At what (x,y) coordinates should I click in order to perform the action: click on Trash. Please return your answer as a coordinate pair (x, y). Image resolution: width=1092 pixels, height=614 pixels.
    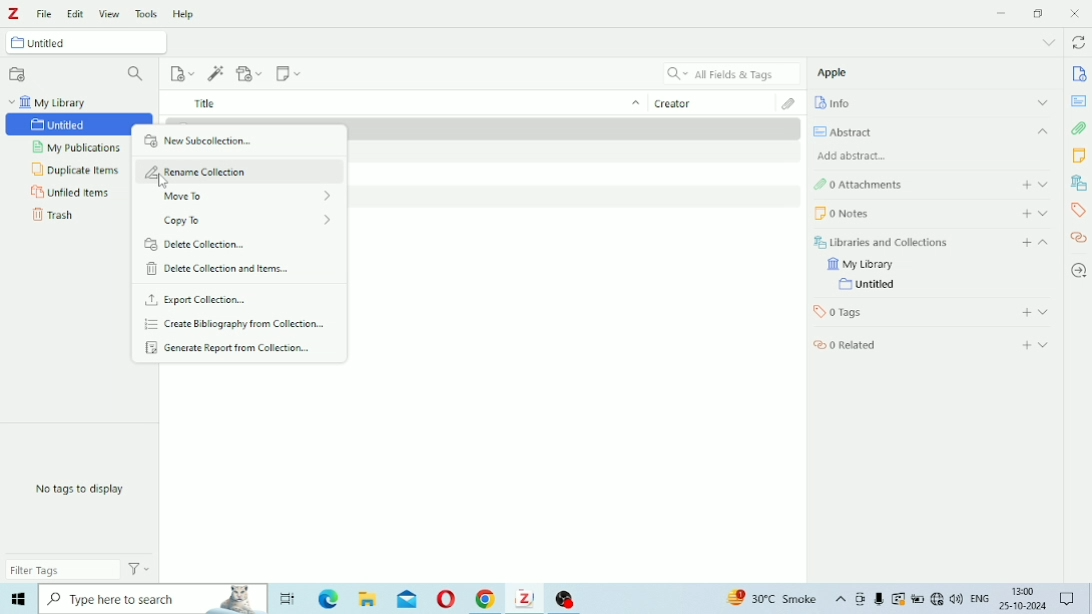
    Looking at the image, I should click on (53, 214).